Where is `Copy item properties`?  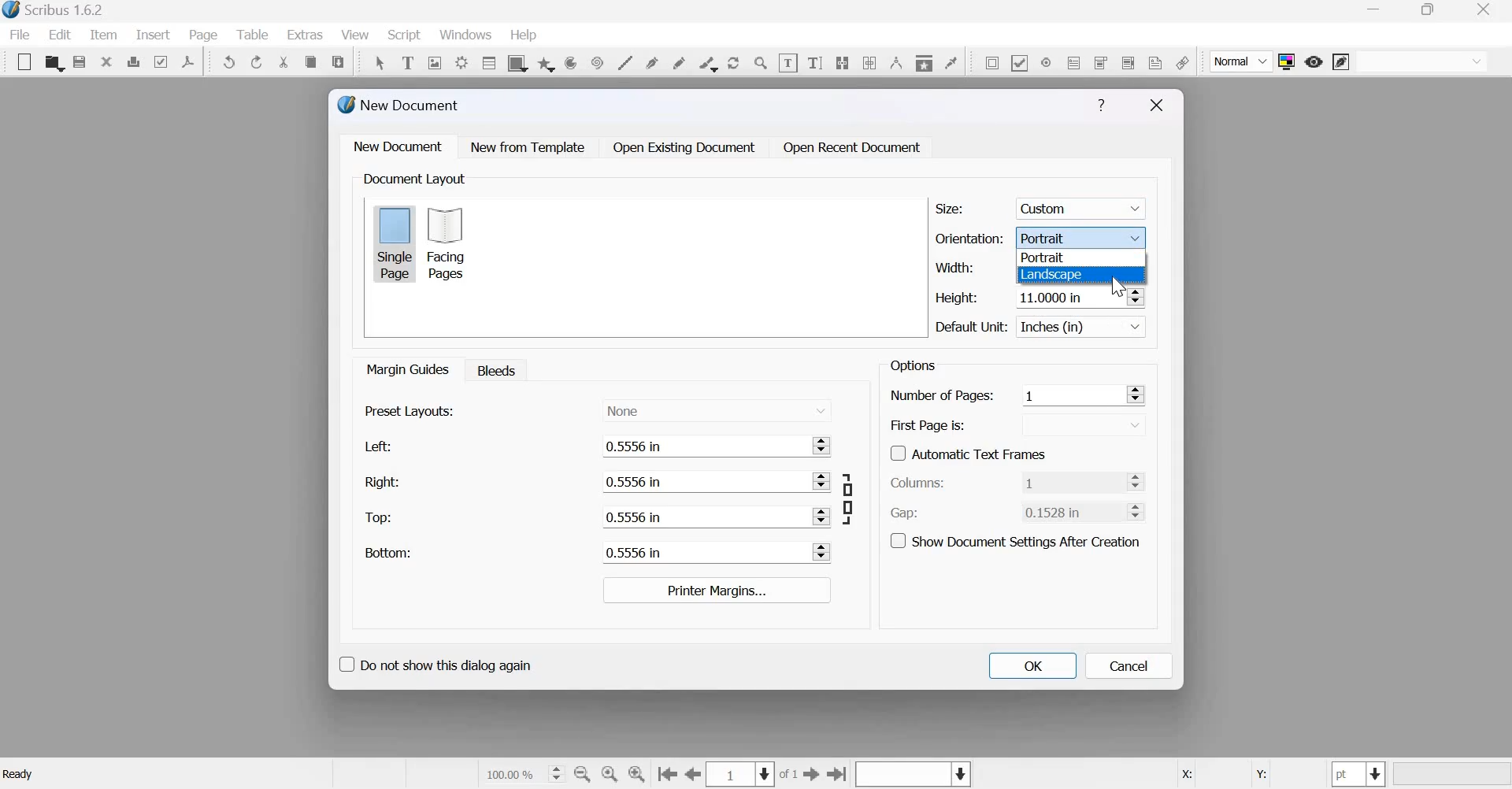
Copy item properties is located at coordinates (923, 61).